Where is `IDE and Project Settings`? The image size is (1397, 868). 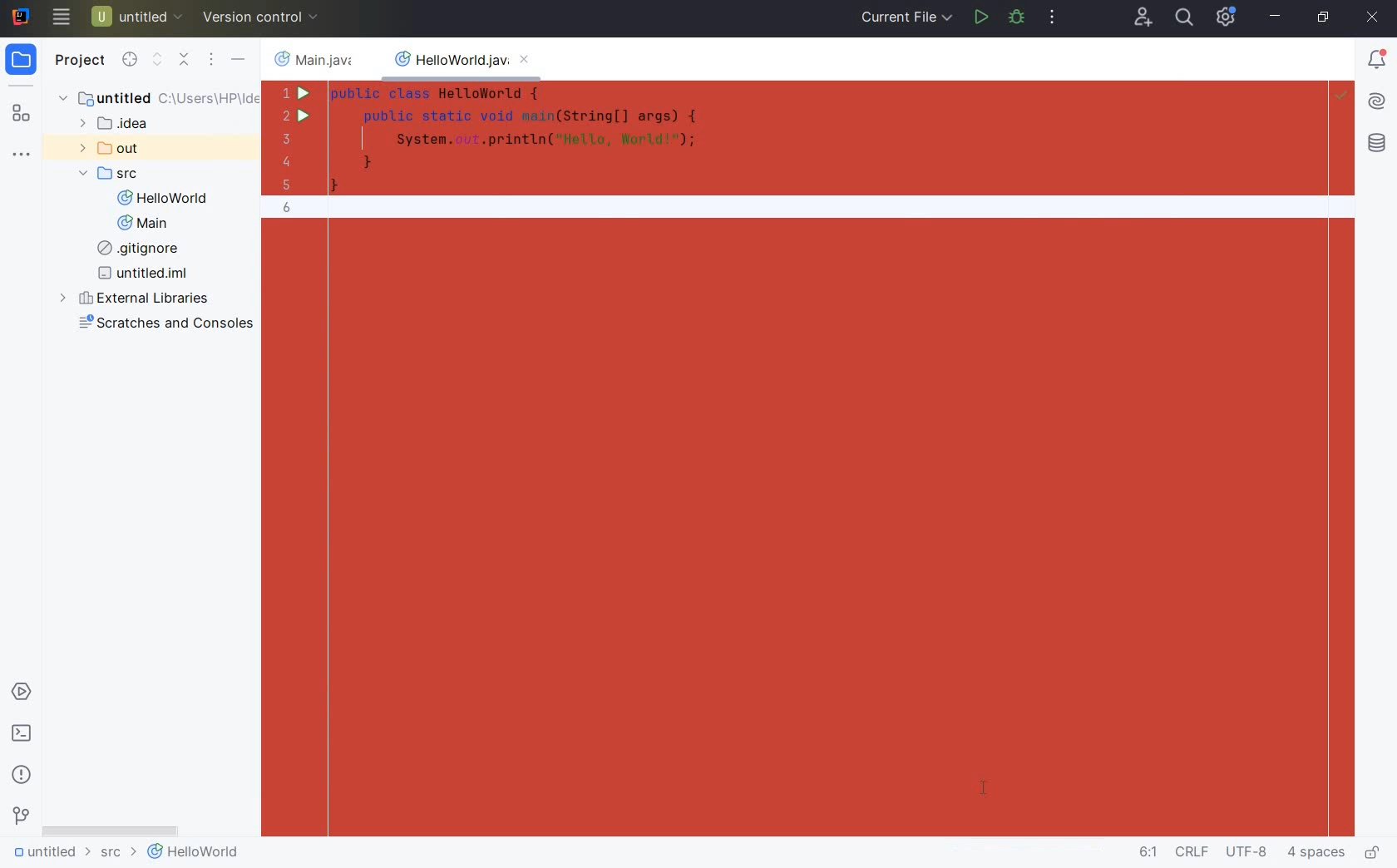
IDE and Project Settings is located at coordinates (1229, 18).